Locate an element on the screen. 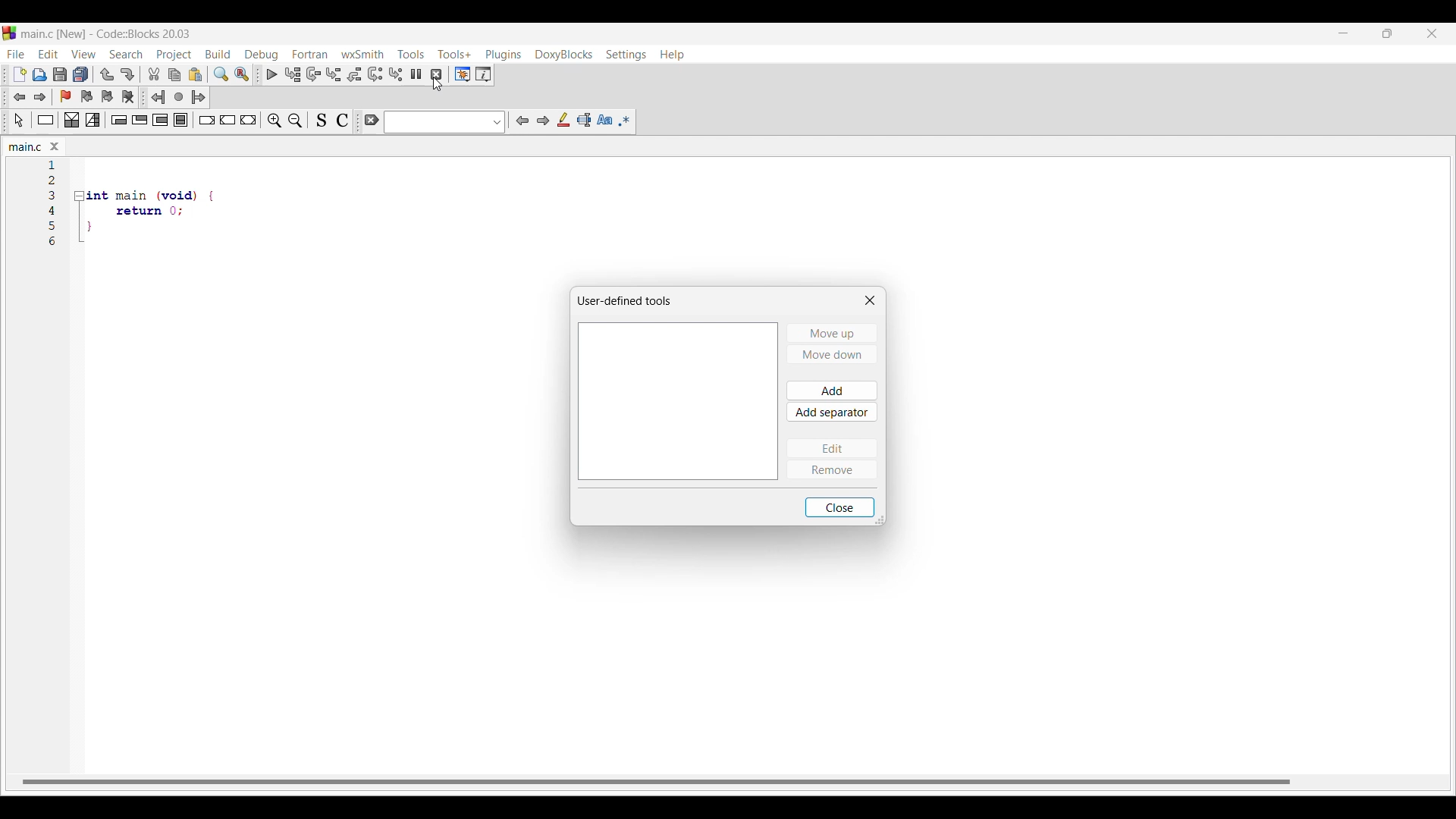  Current code is located at coordinates (133, 205).